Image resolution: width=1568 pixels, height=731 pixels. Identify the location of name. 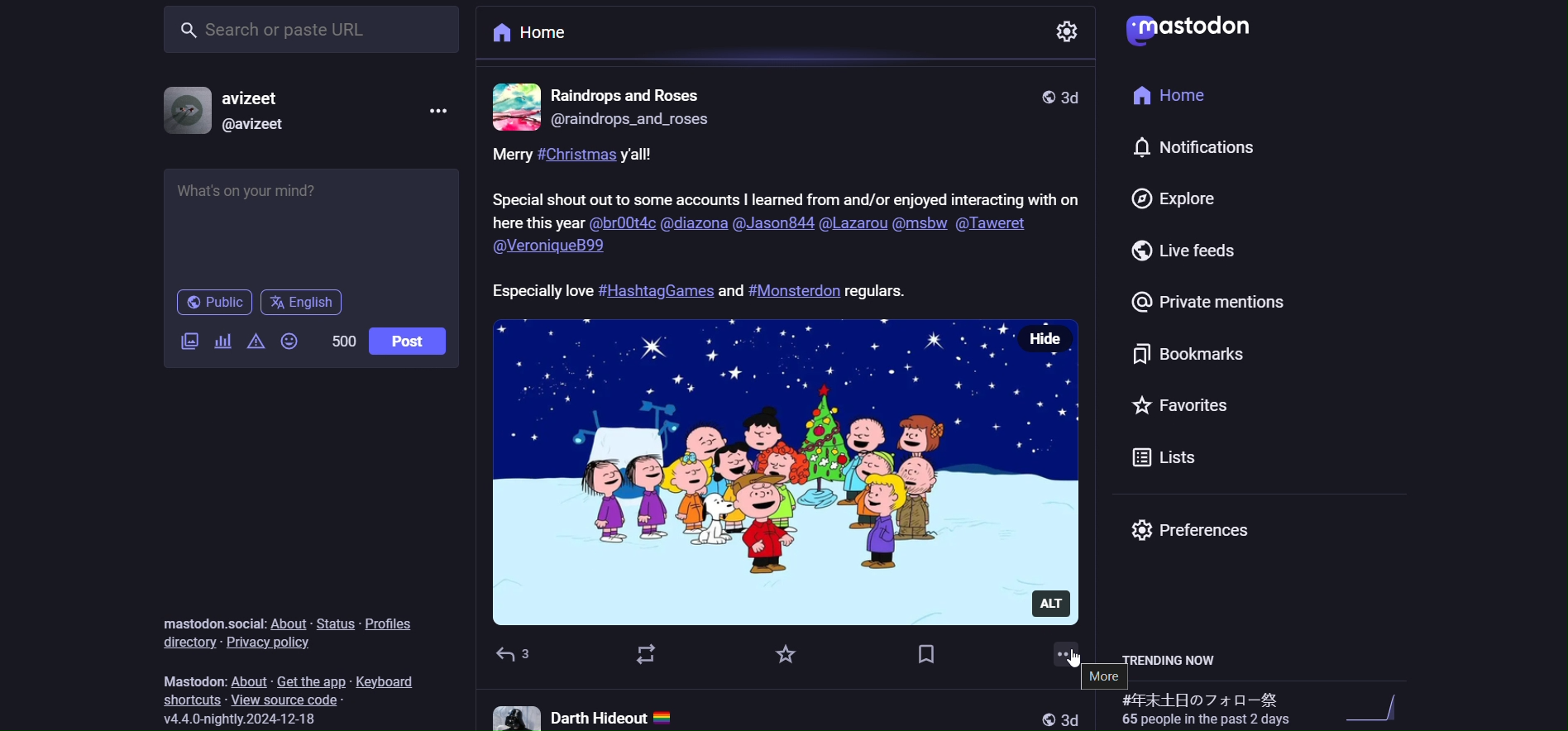
(256, 98).